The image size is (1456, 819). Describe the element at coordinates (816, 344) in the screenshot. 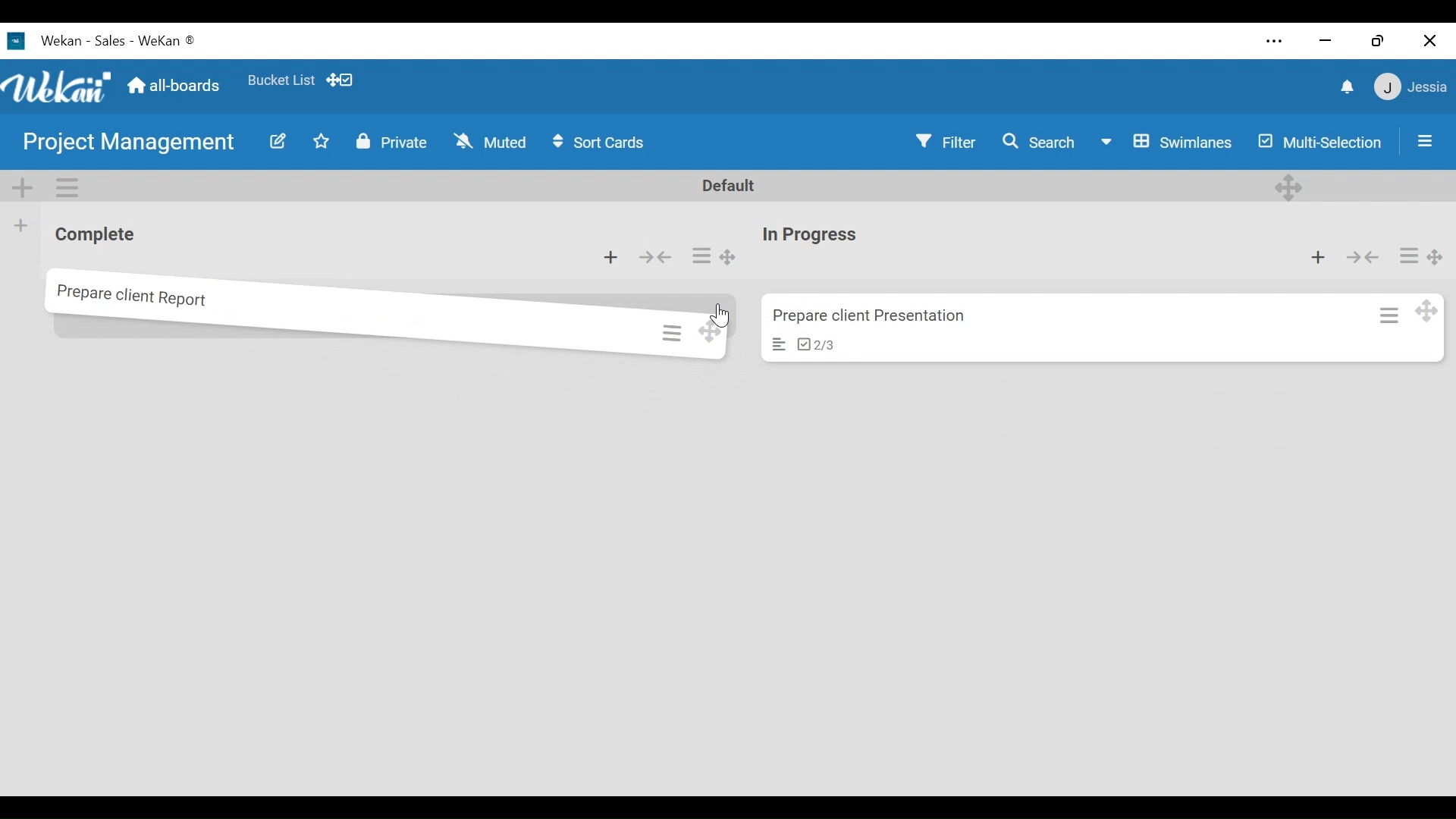

I see `checklist` at that location.